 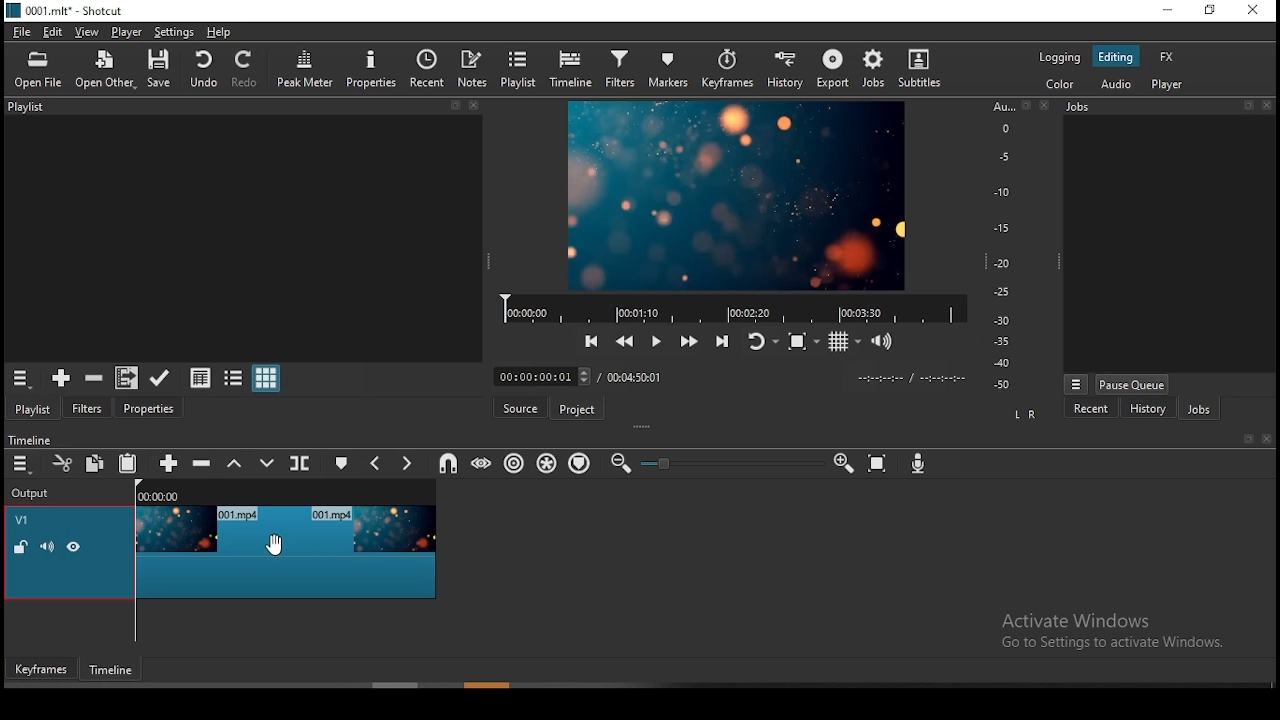 I want to click on cursor, so click(x=277, y=544).